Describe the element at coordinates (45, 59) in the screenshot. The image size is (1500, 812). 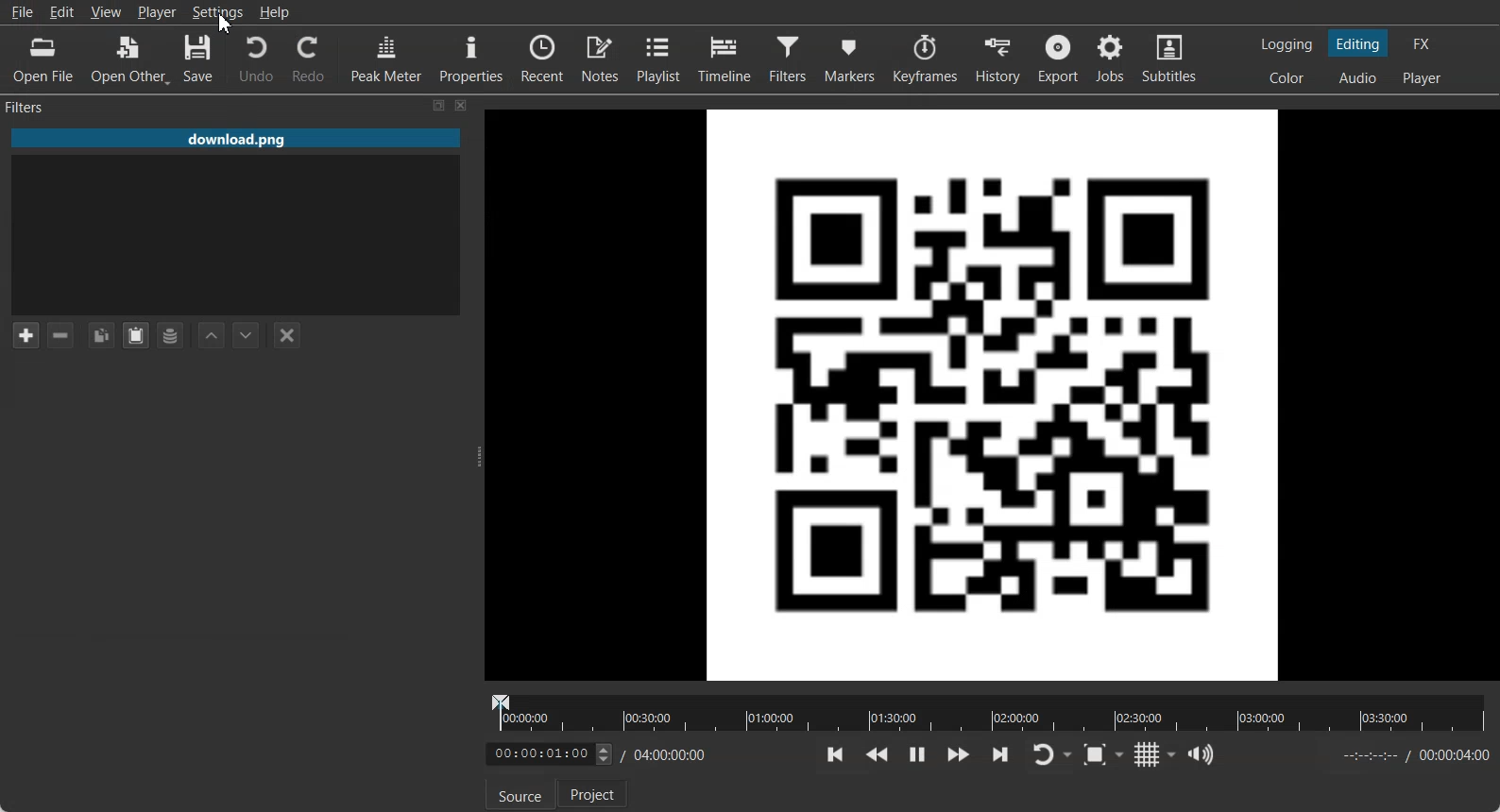
I see `Open File` at that location.